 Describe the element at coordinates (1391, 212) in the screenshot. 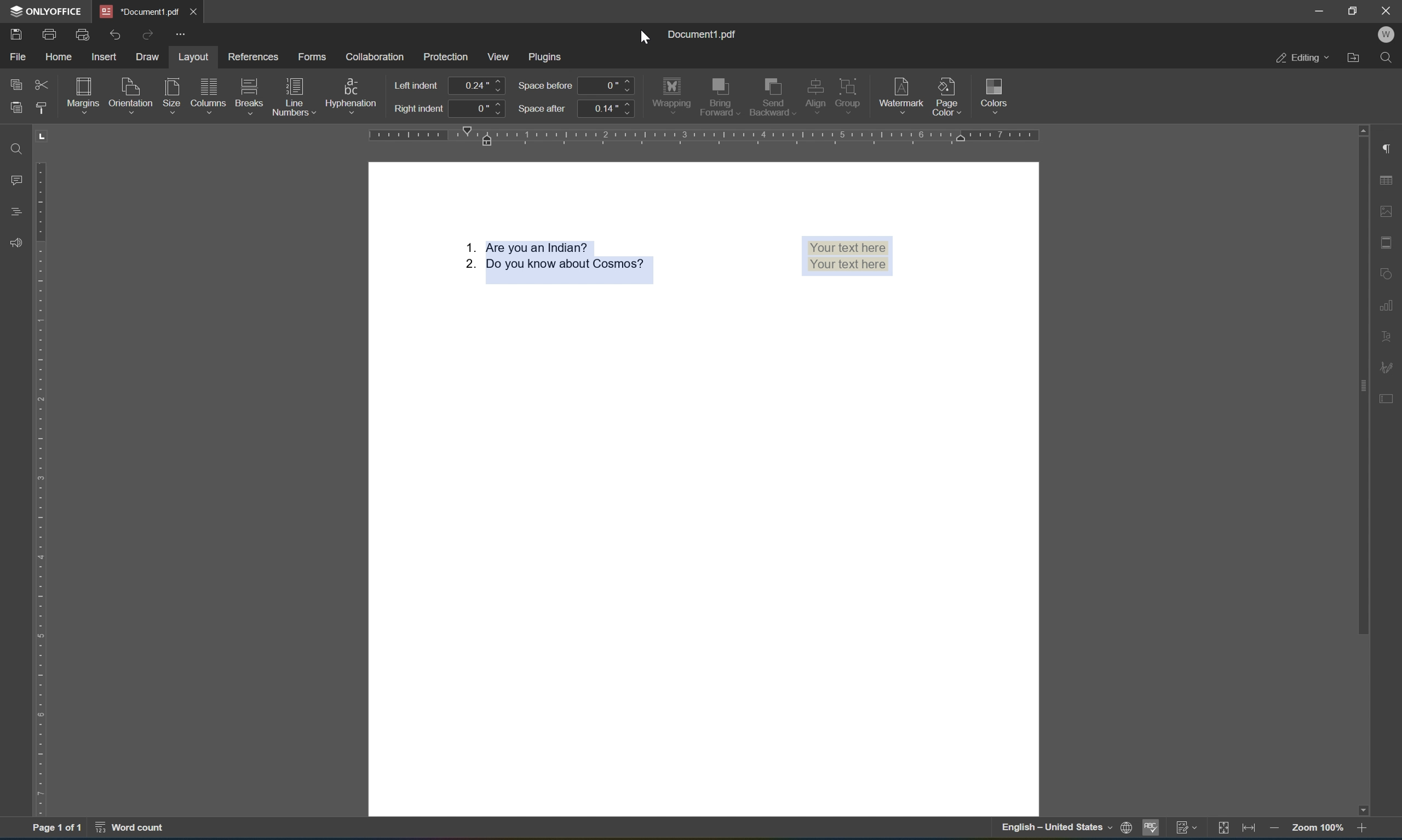

I see `image settings` at that location.